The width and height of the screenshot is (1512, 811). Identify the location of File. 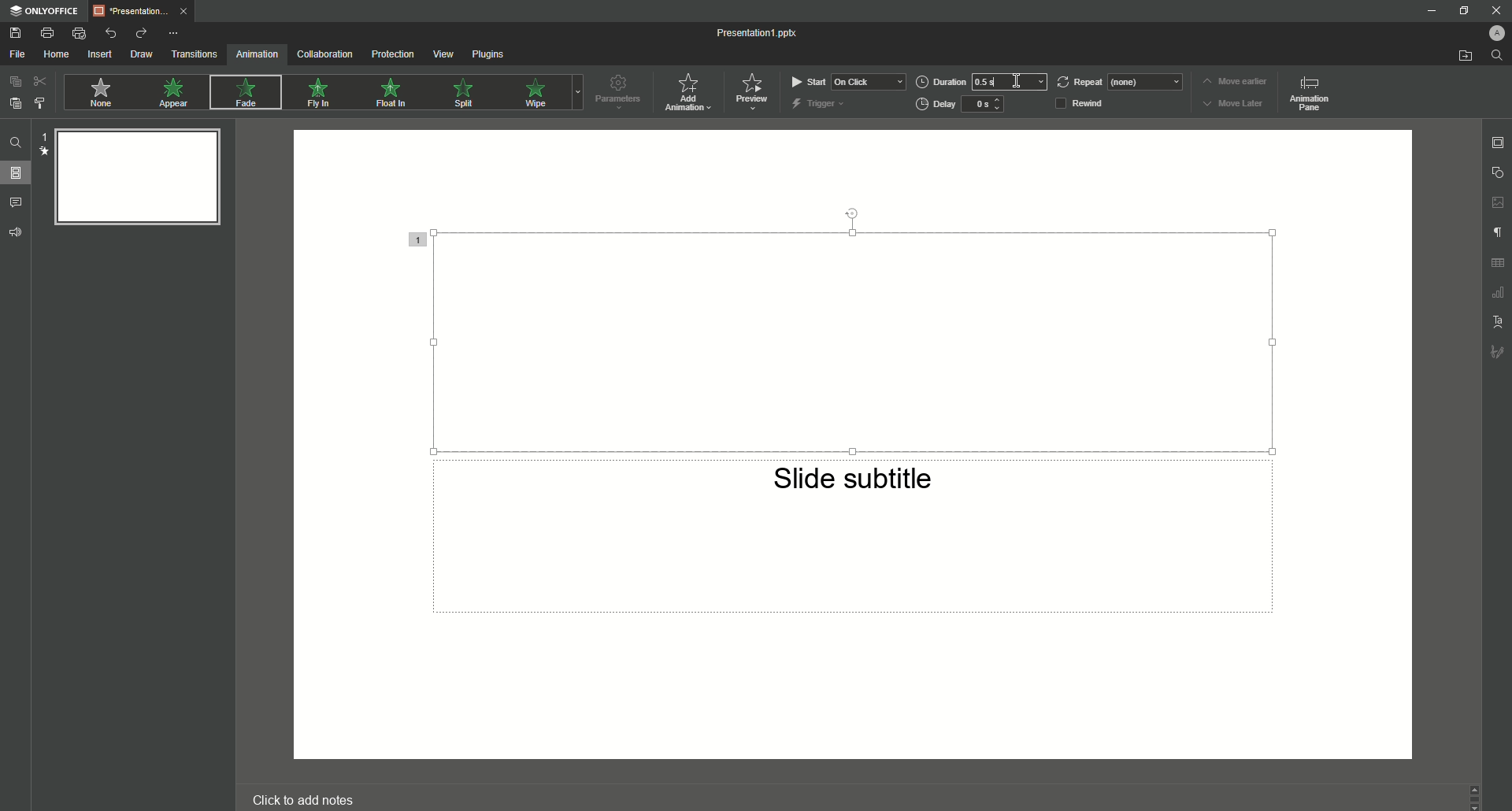
(19, 55).